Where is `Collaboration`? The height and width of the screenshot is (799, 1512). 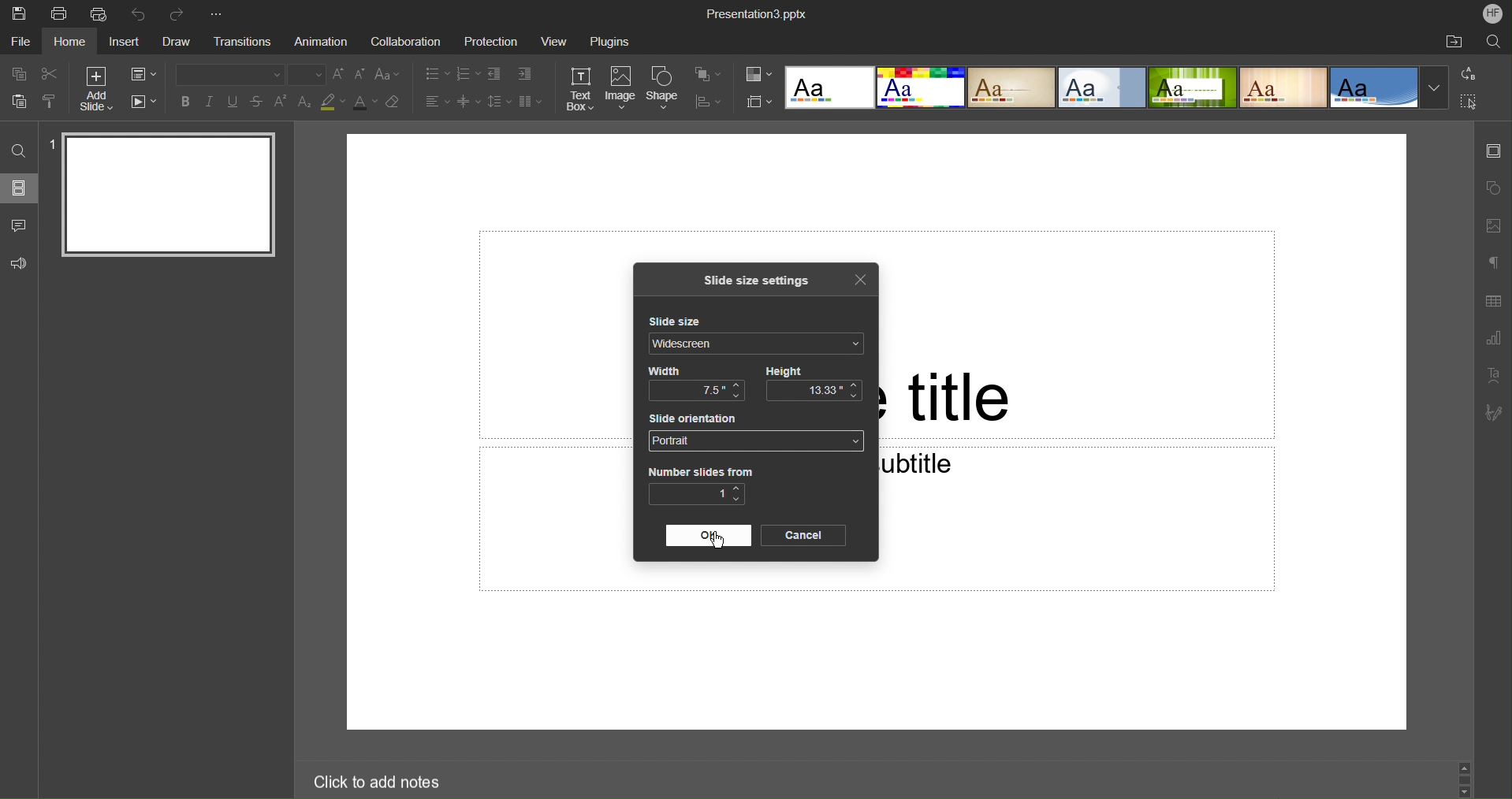
Collaboration is located at coordinates (406, 43).